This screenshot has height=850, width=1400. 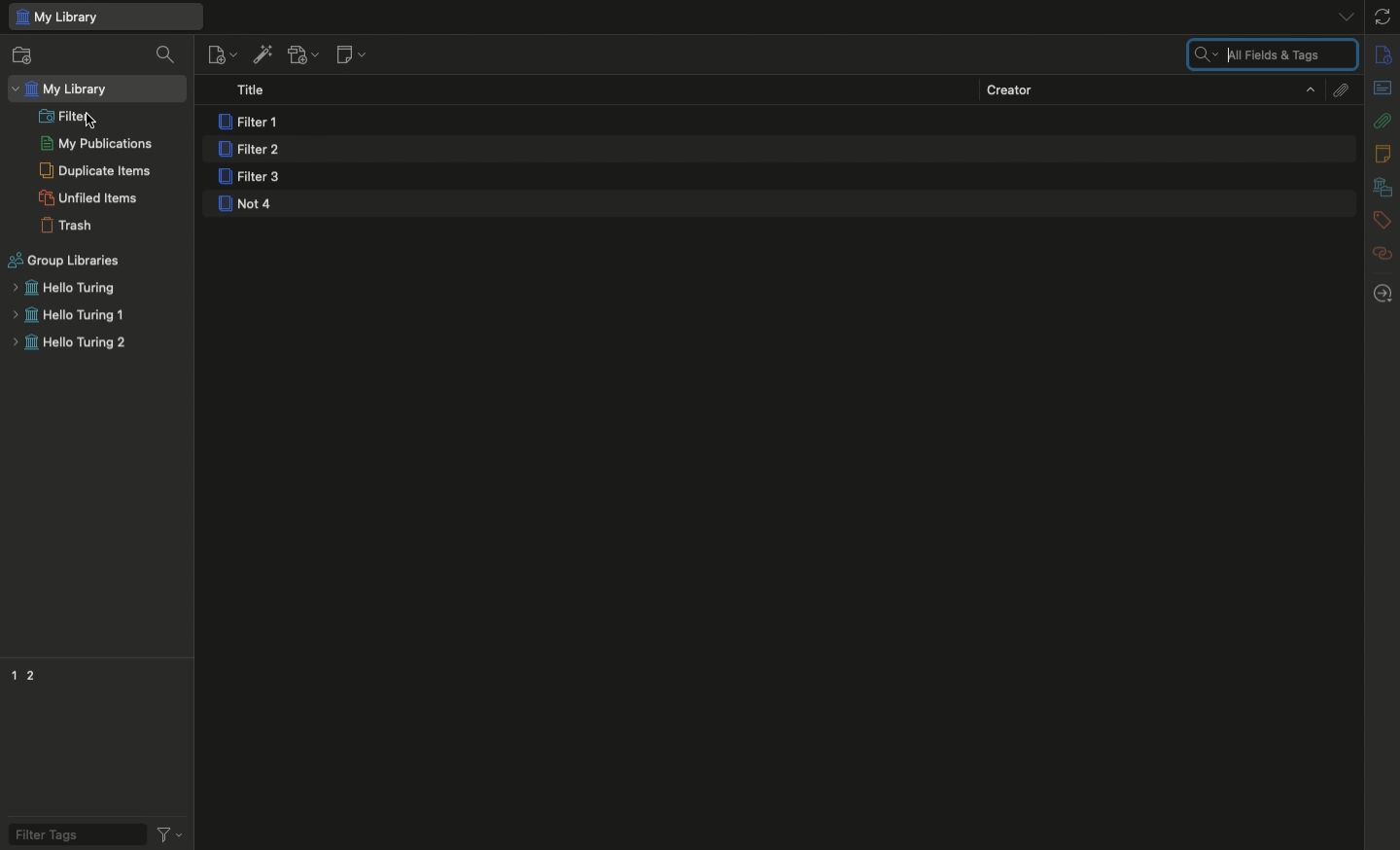 What do you see at coordinates (22, 57) in the screenshot?
I see `New collection` at bounding box center [22, 57].